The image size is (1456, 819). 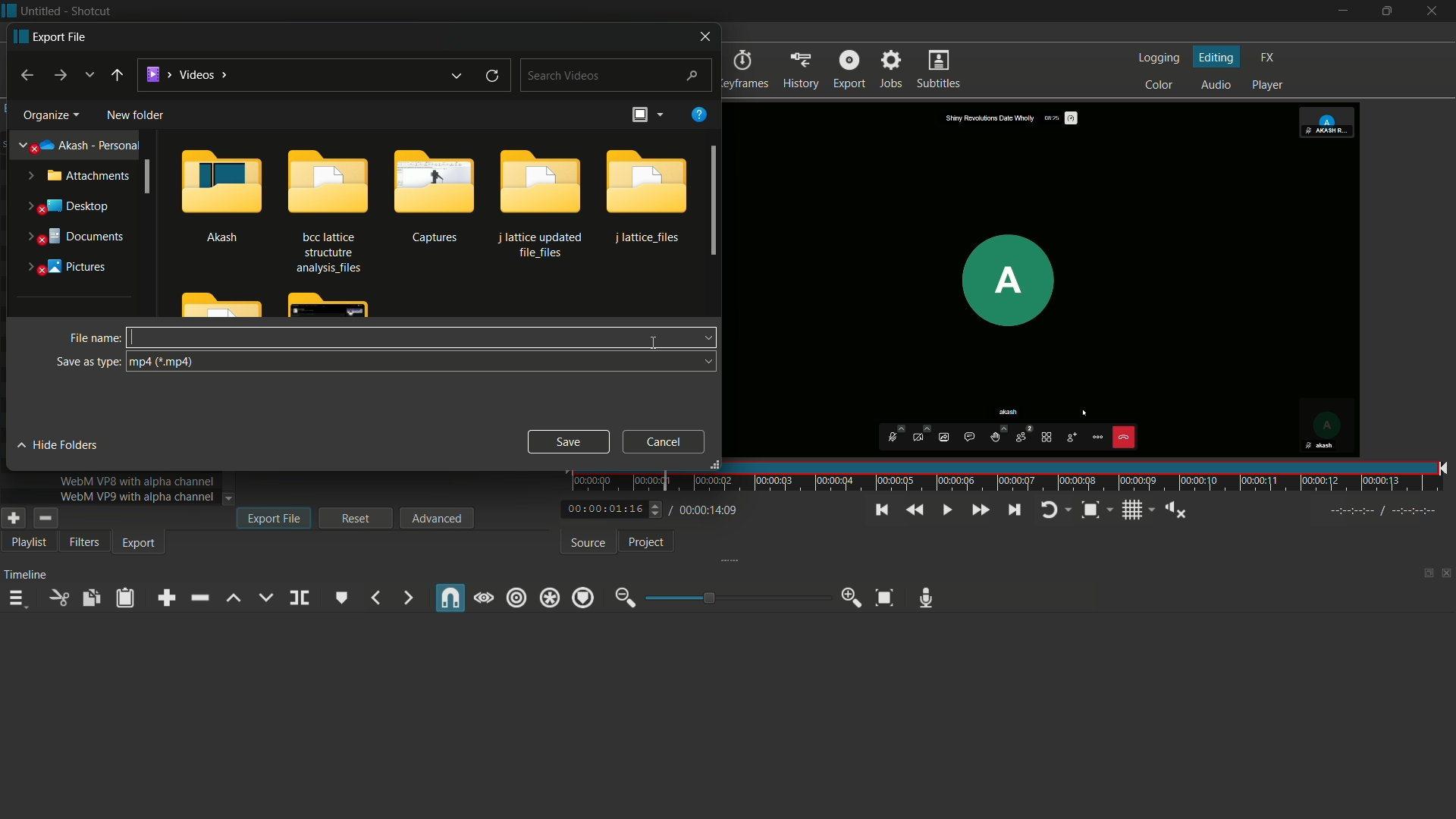 I want to click on remove export preset, so click(x=44, y=519).